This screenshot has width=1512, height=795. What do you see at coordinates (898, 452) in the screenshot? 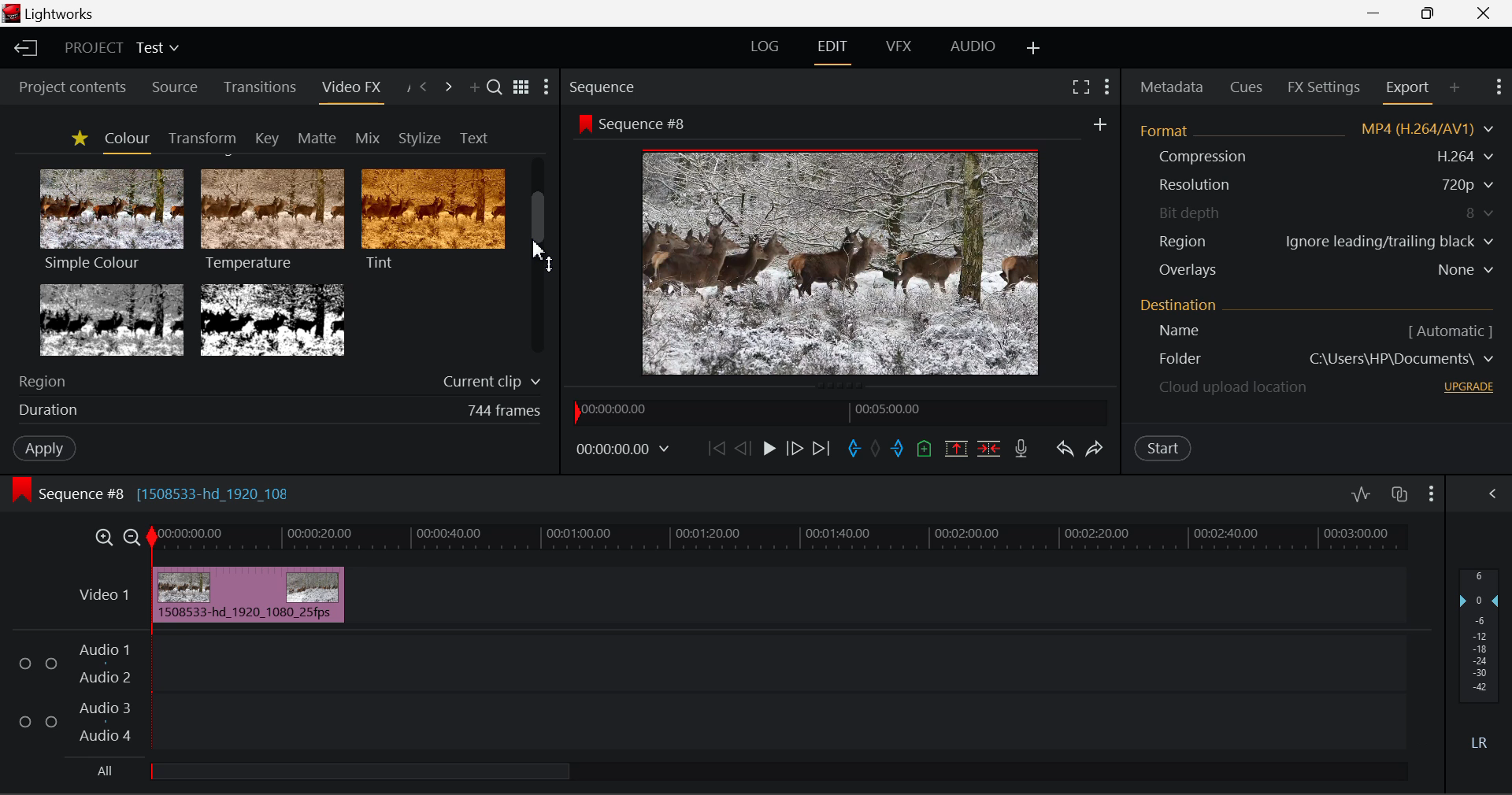
I see `Mark Out` at bounding box center [898, 452].